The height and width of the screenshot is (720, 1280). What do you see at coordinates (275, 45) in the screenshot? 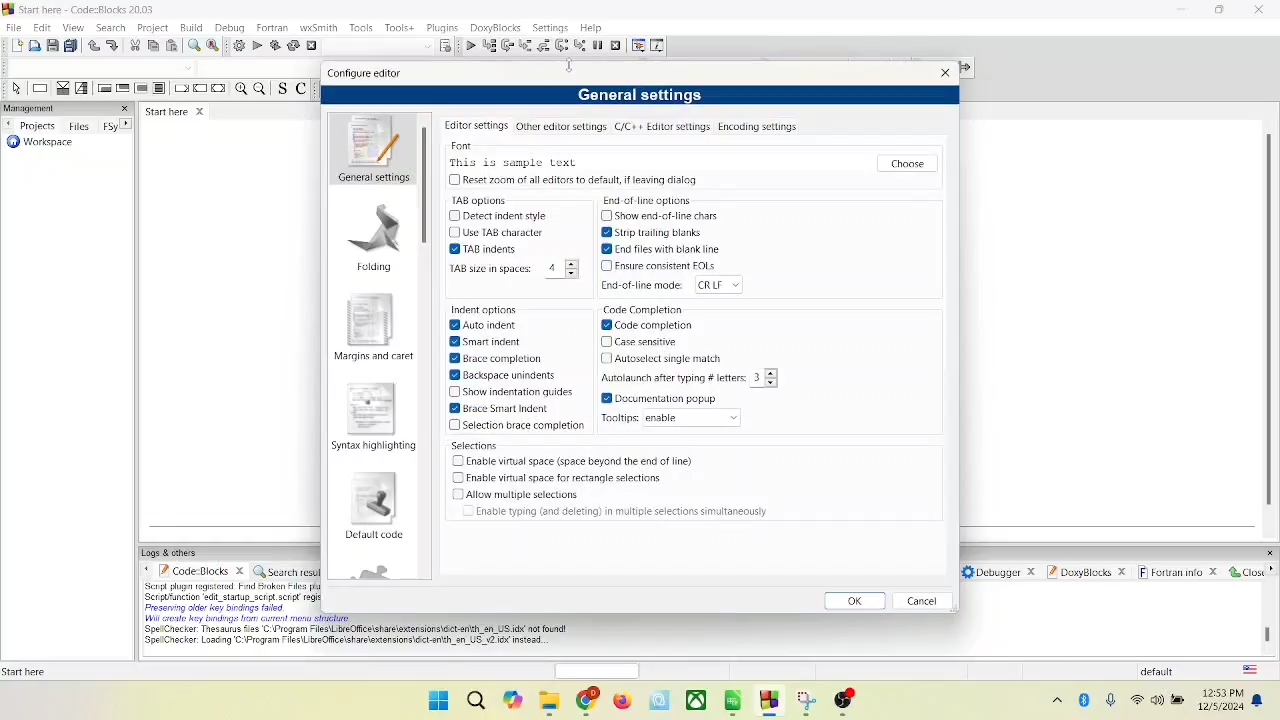
I see `build and run` at bounding box center [275, 45].